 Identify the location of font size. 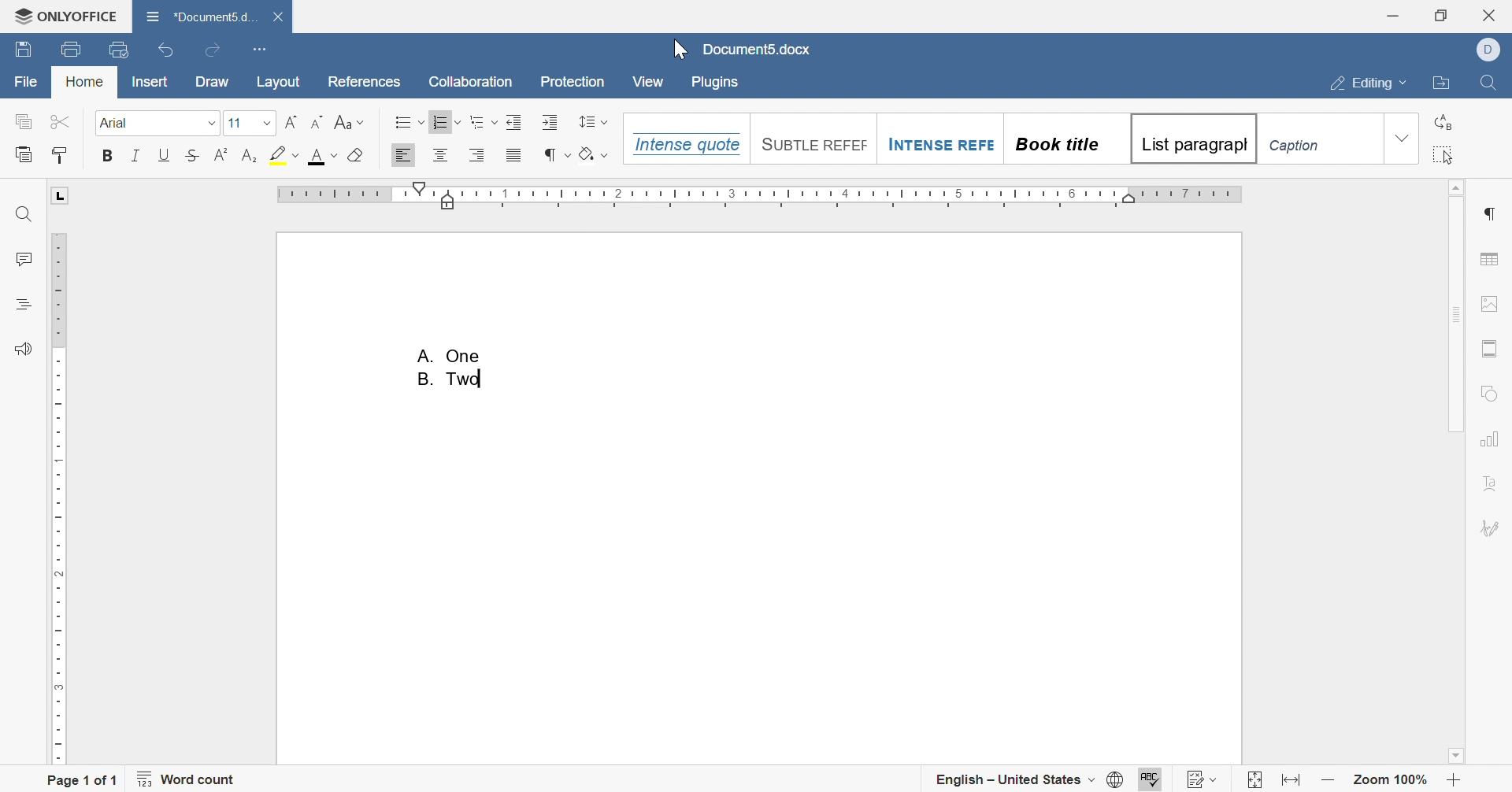
(234, 123).